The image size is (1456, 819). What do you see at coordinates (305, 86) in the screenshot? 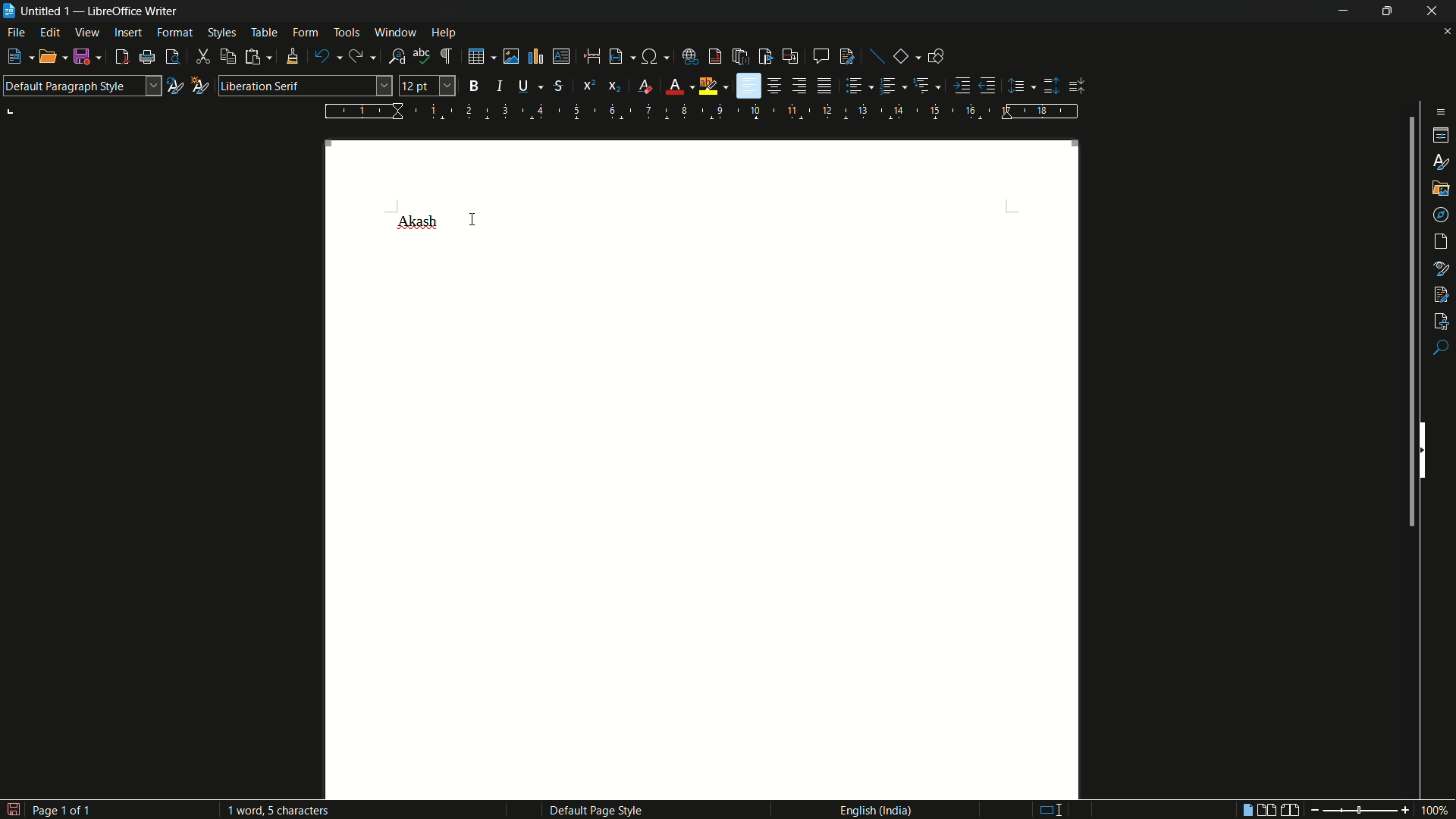
I see `font name` at bounding box center [305, 86].